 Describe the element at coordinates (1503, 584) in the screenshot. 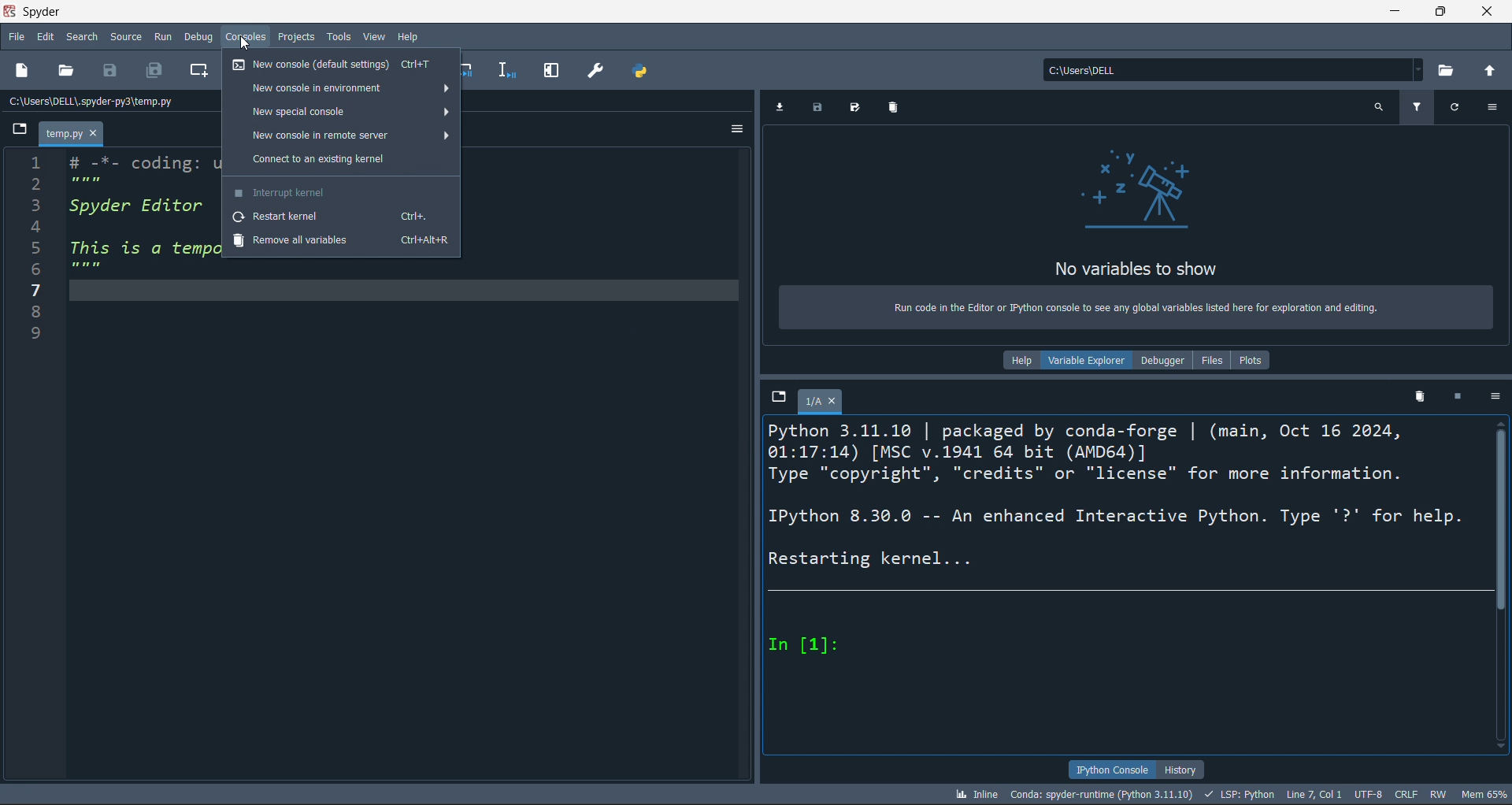

I see `scroll bat` at that location.